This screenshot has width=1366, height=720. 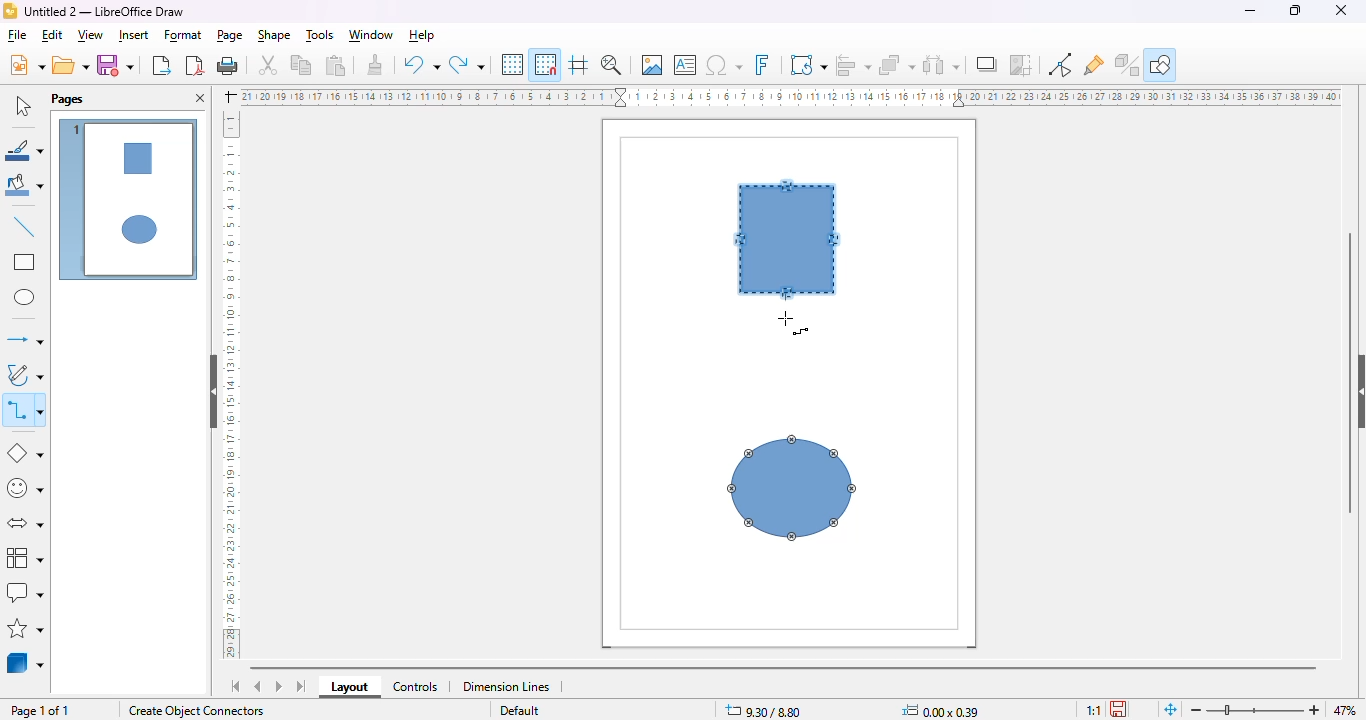 What do you see at coordinates (273, 35) in the screenshot?
I see `shape` at bounding box center [273, 35].